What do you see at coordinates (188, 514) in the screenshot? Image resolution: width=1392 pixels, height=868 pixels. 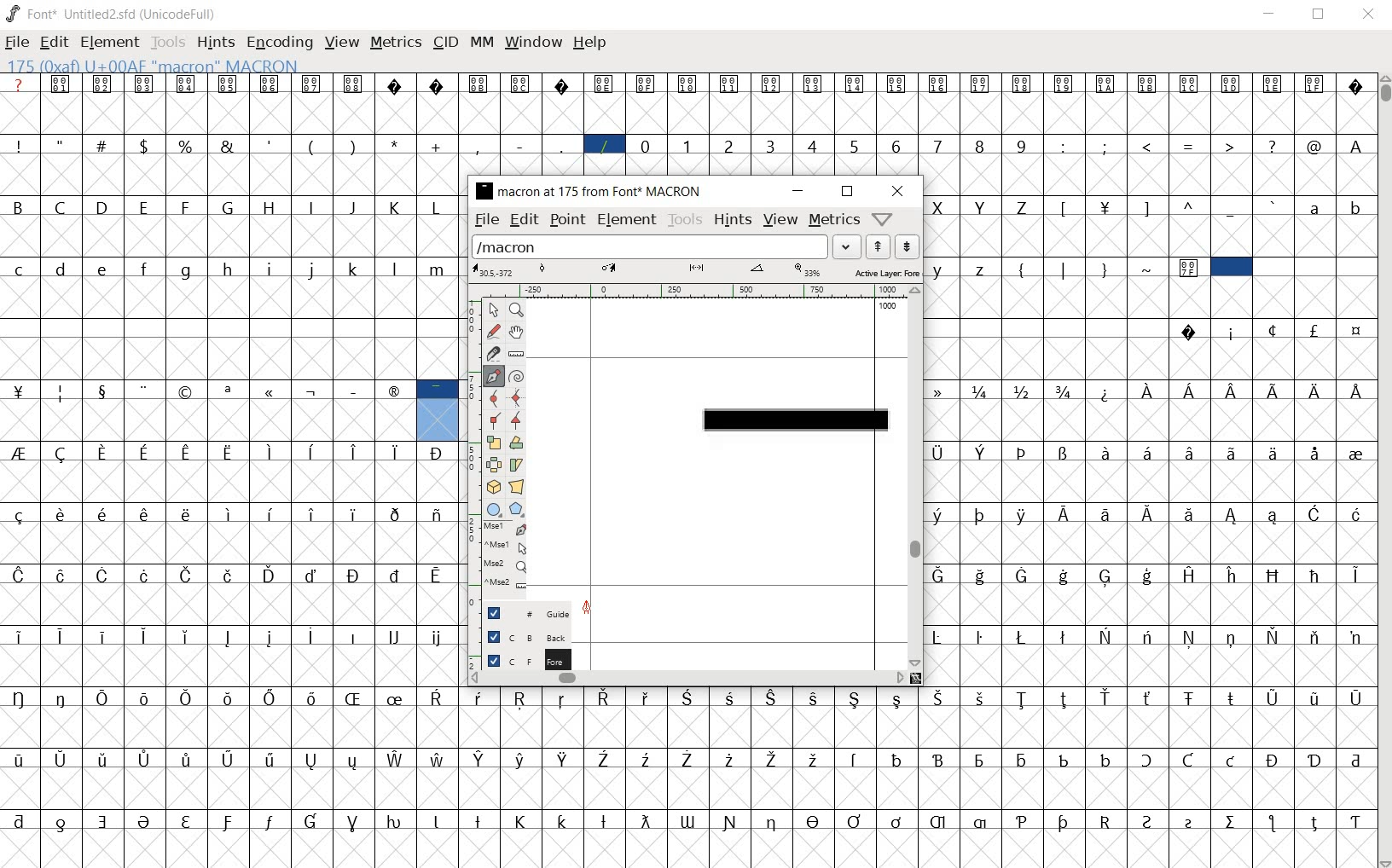 I see `Symbol` at bounding box center [188, 514].